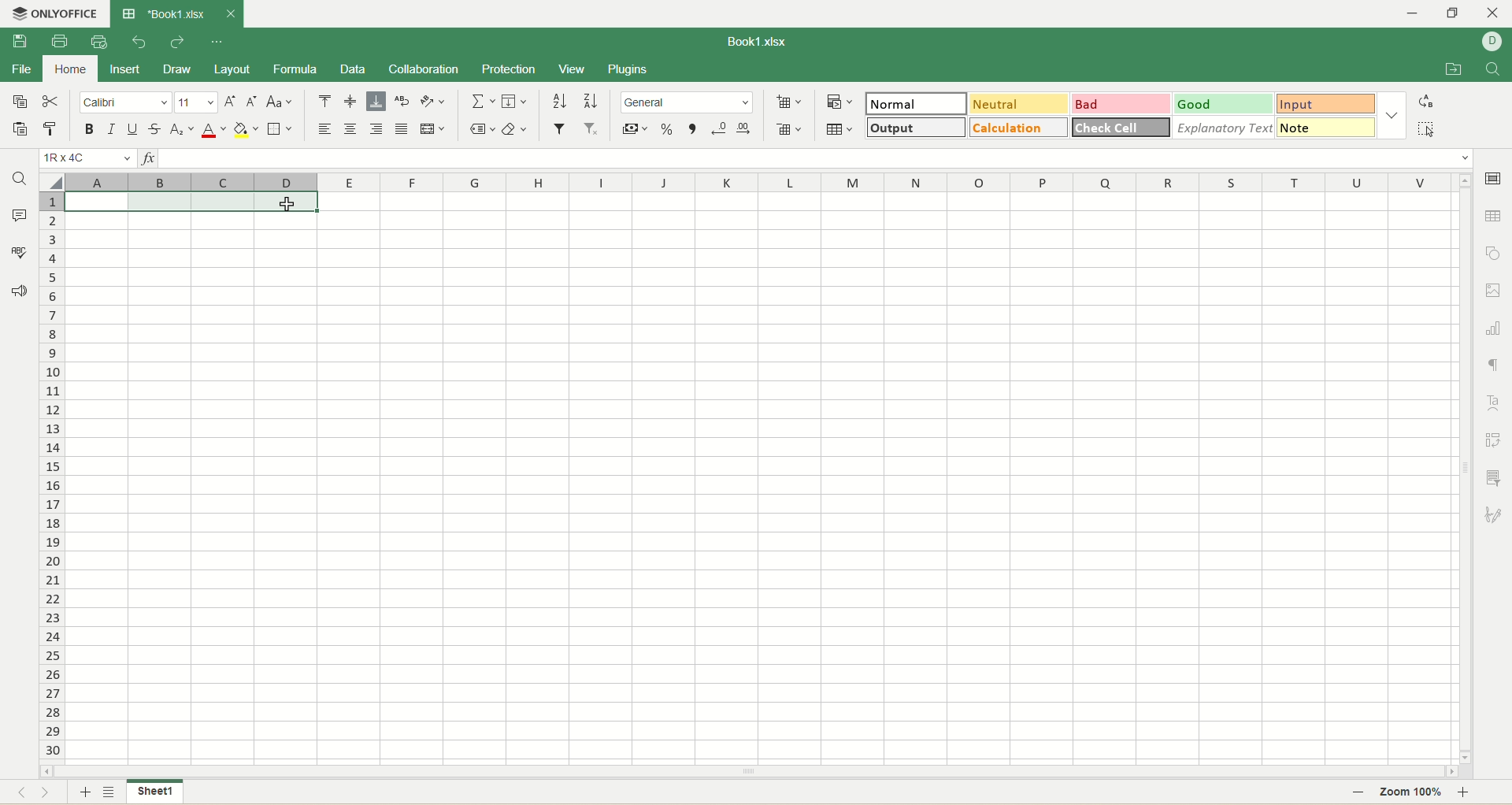 The image size is (1512, 805). What do you see at coordinates (19, 102) in the screenshot?
I see `copy` at bounding box center [19, 102].